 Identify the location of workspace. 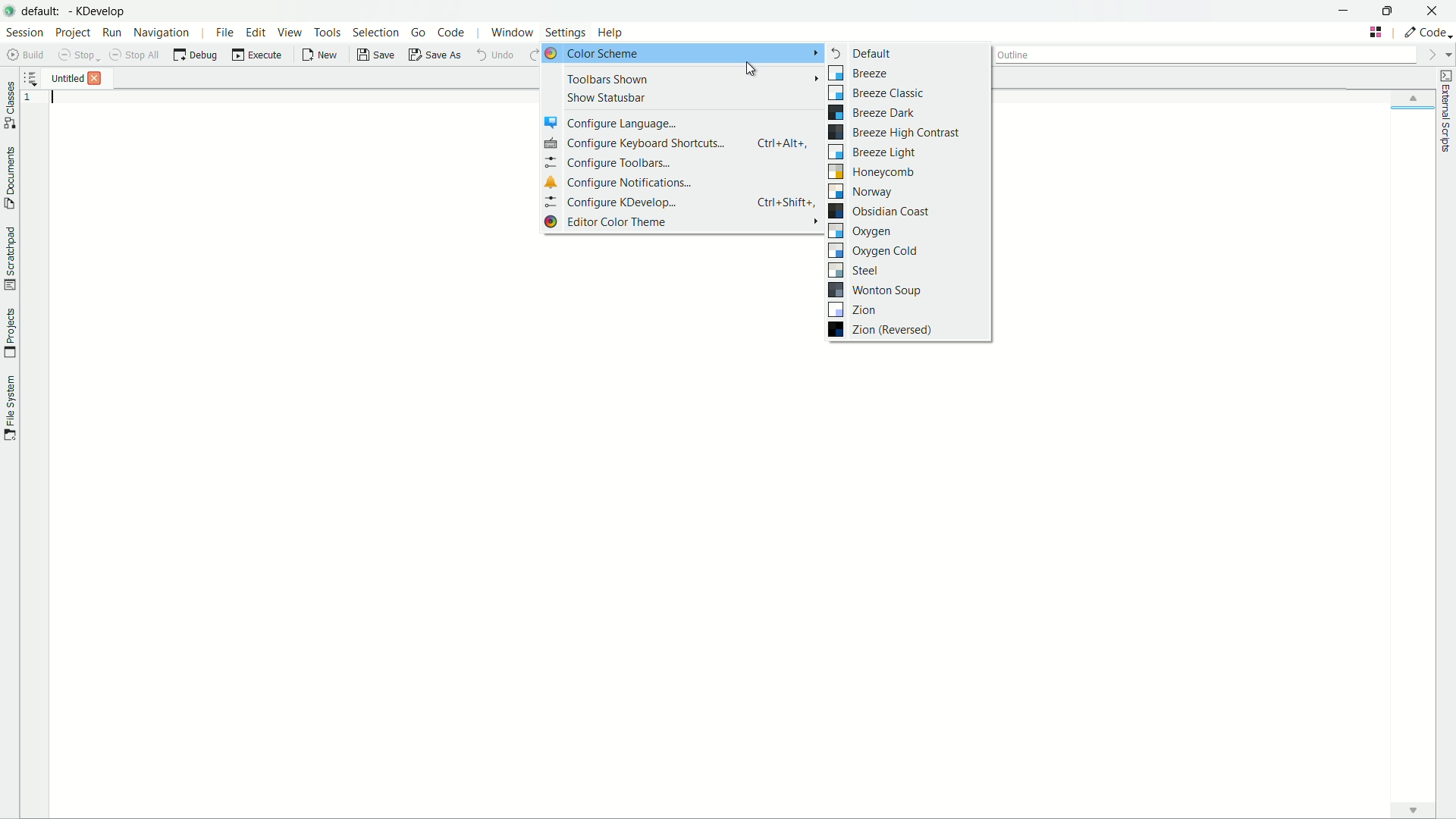
(748, 573).